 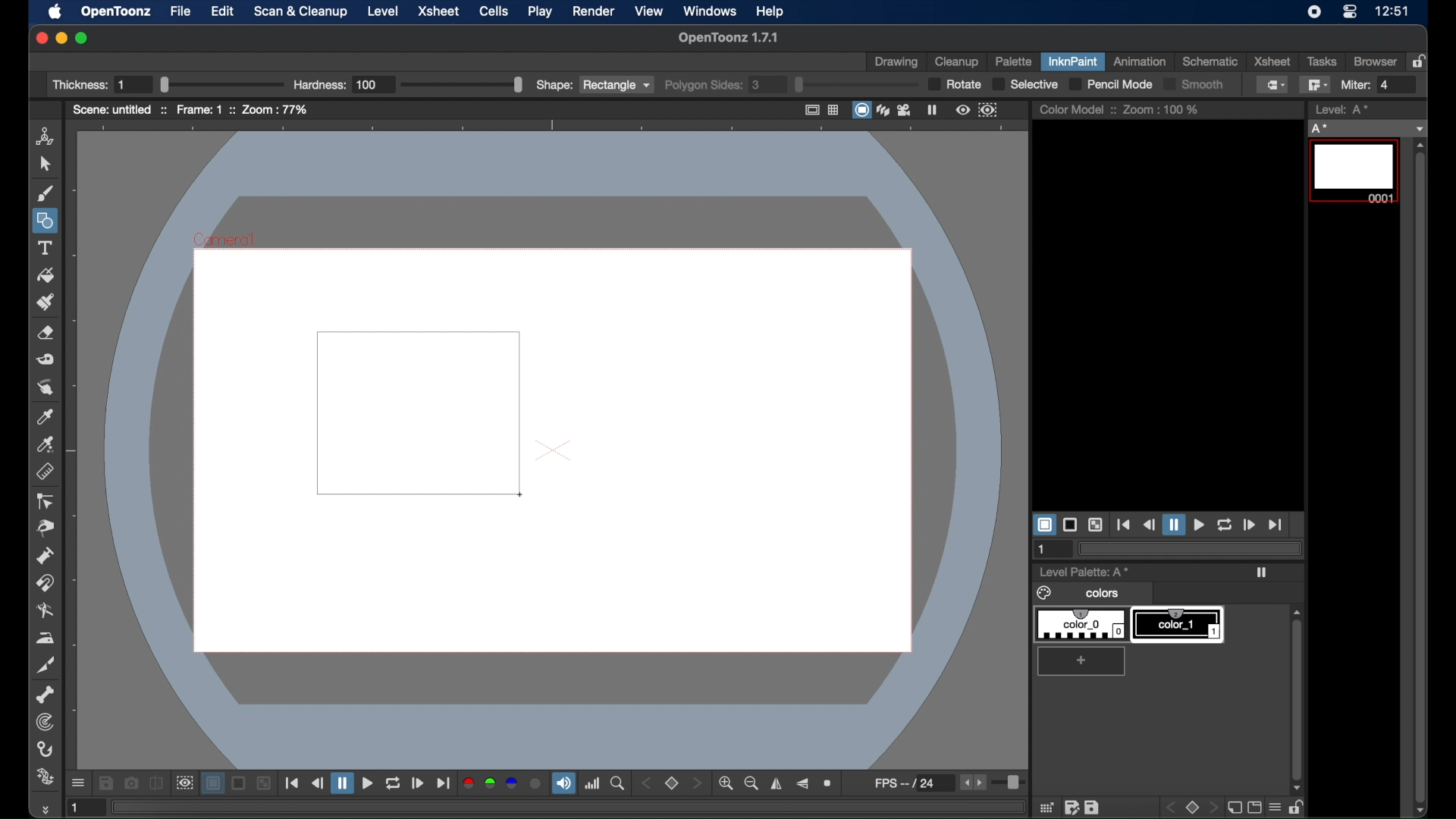 I want to click on back, so click(x=1173, y=808).